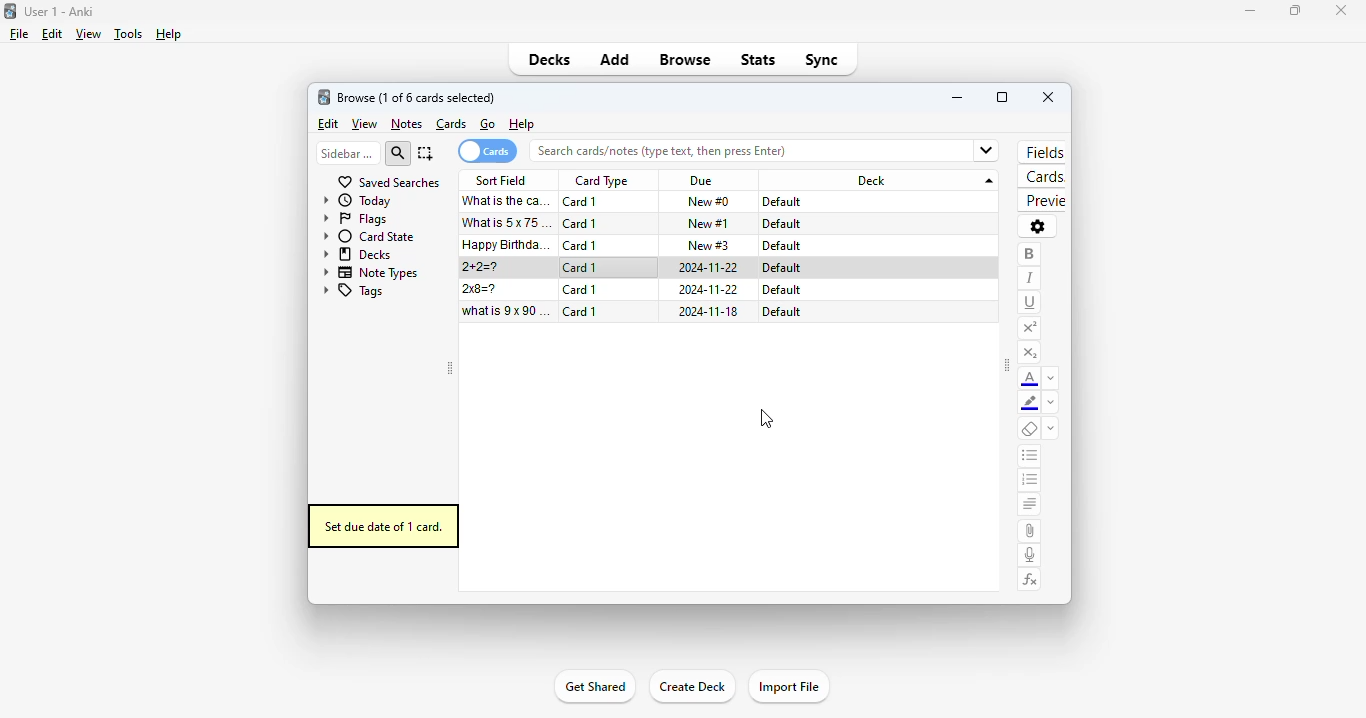  What do you see at coordinates (488, 124) in the screenshot?
I see `go` at bounding box center [488, 124].